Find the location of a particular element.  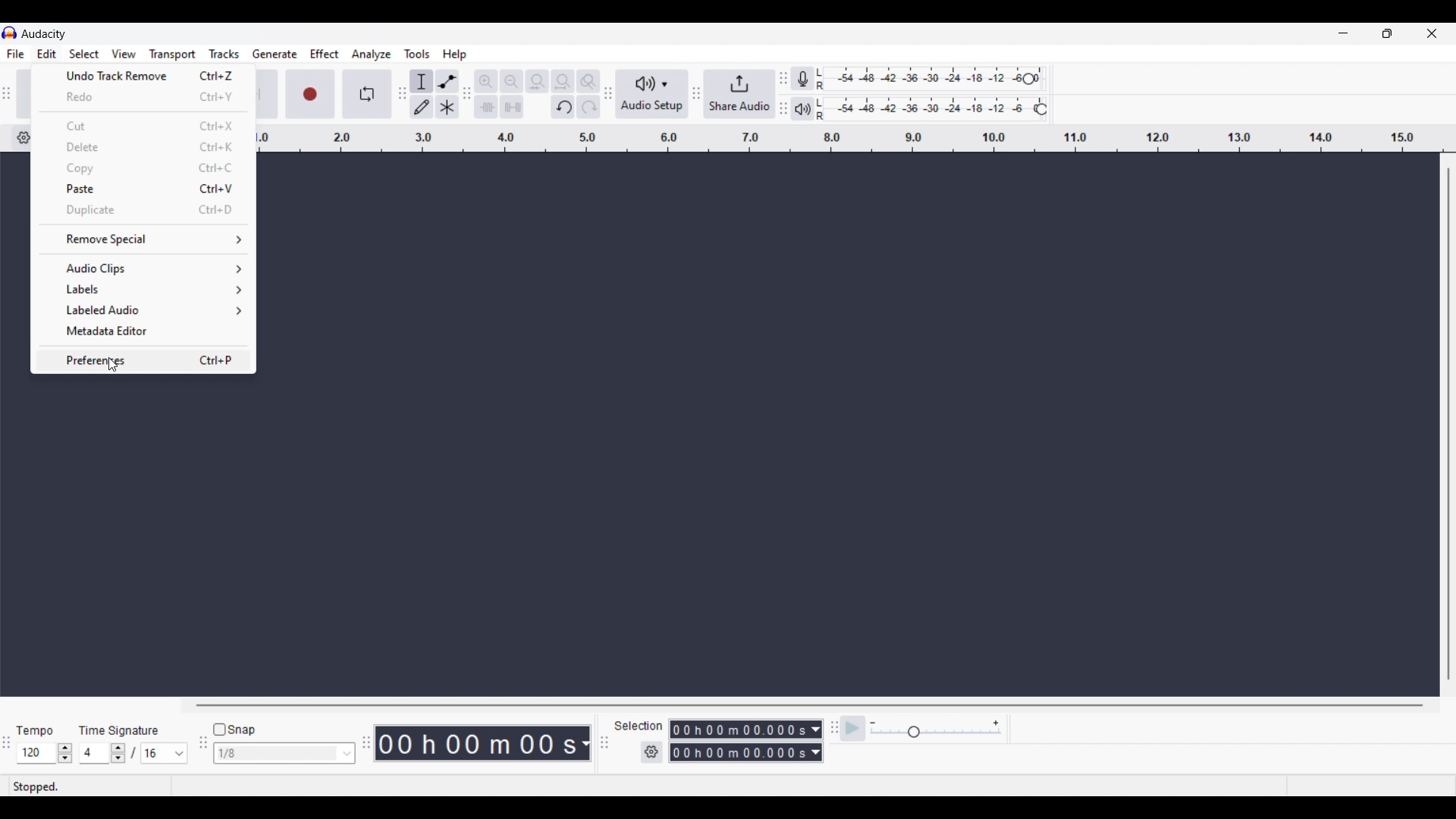

Playback level is located at coordinates (935, 108).